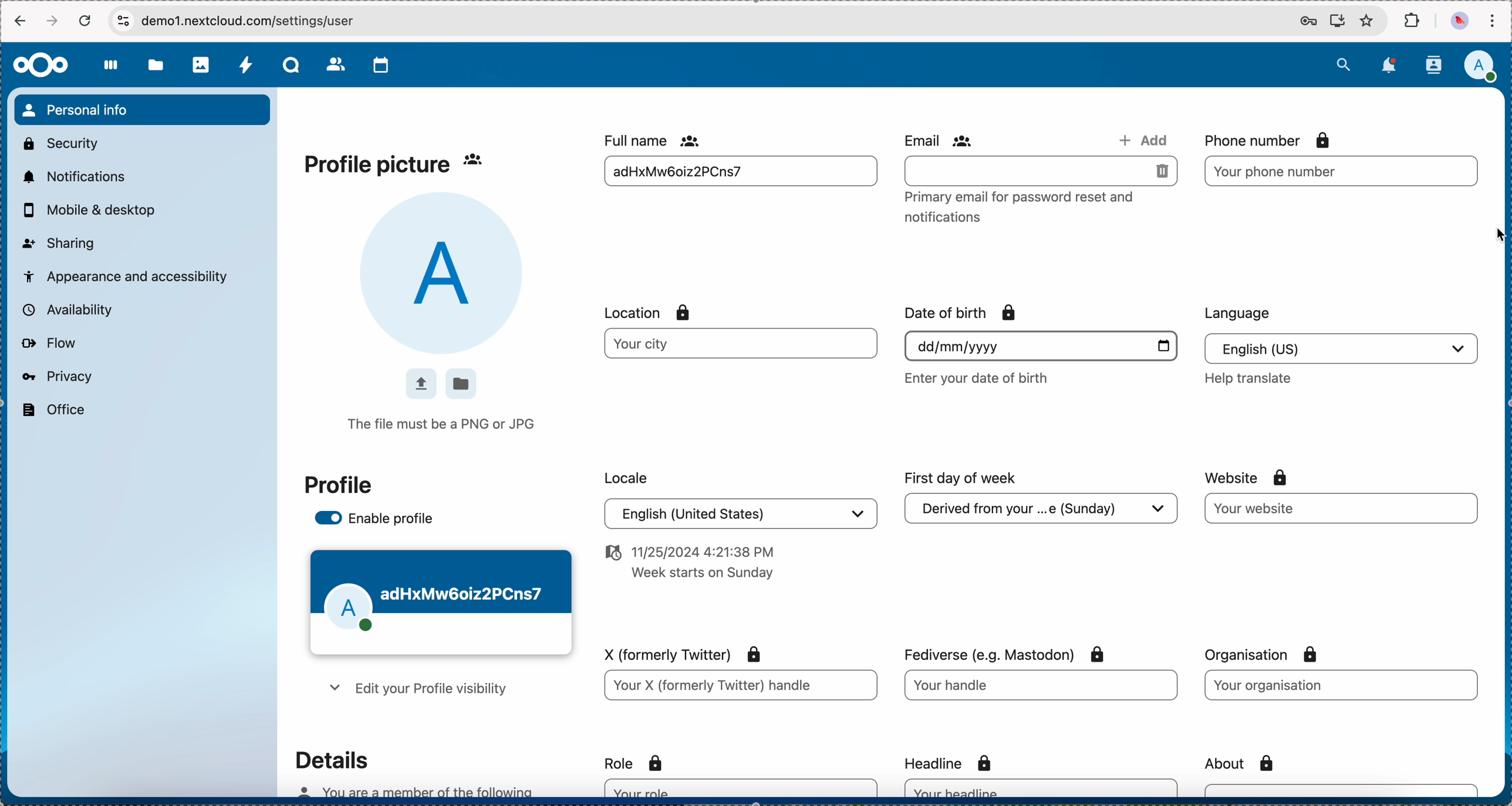  What do you see at coordinates (1413, 21) in the screenshot?
I see `extensions` at bounding box center [1413, 21].